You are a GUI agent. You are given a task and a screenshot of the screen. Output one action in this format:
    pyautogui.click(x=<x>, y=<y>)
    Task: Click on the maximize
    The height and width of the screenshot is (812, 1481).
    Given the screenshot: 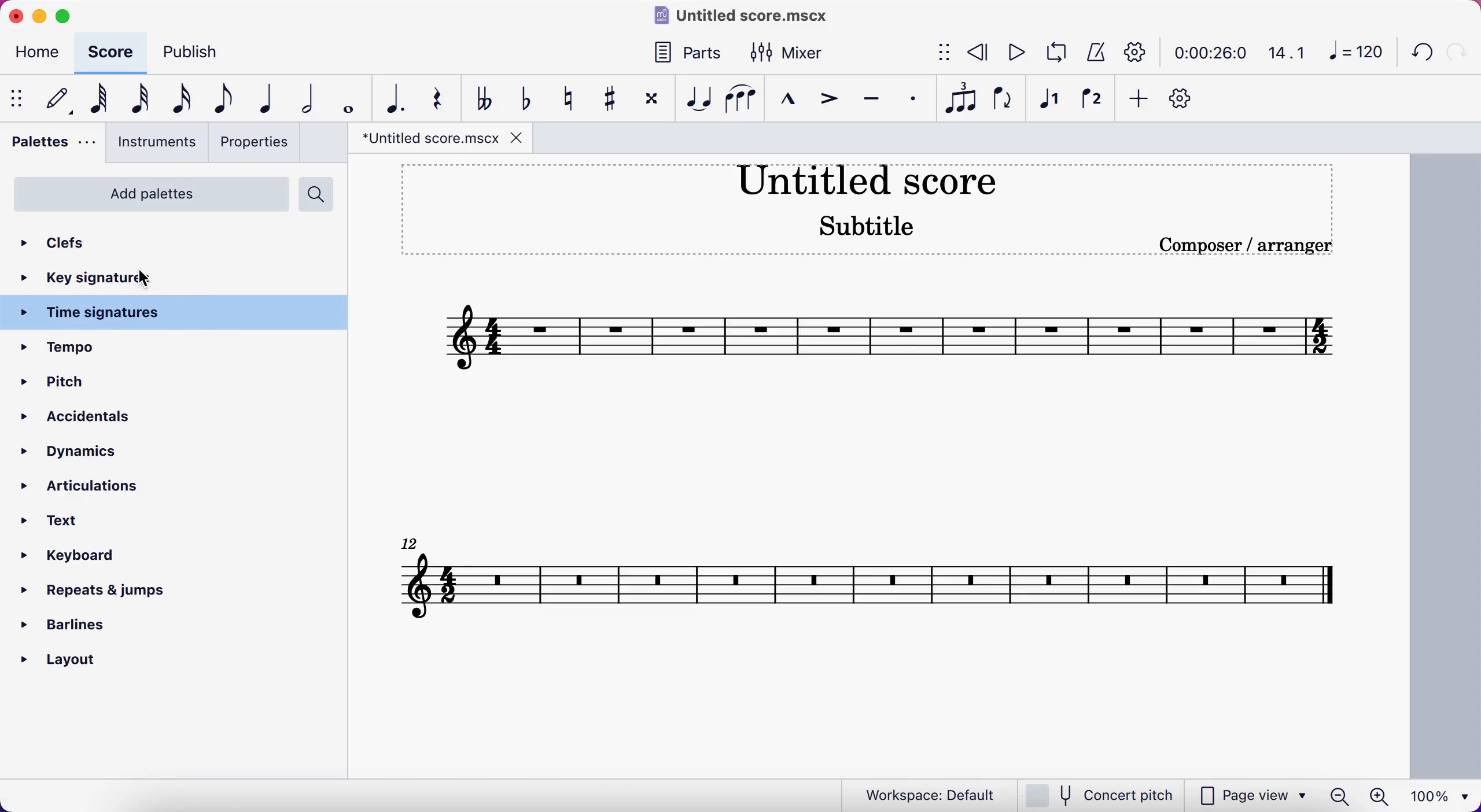 What is the action you would take?
    pyautogui.click(x=68, y=16)
    